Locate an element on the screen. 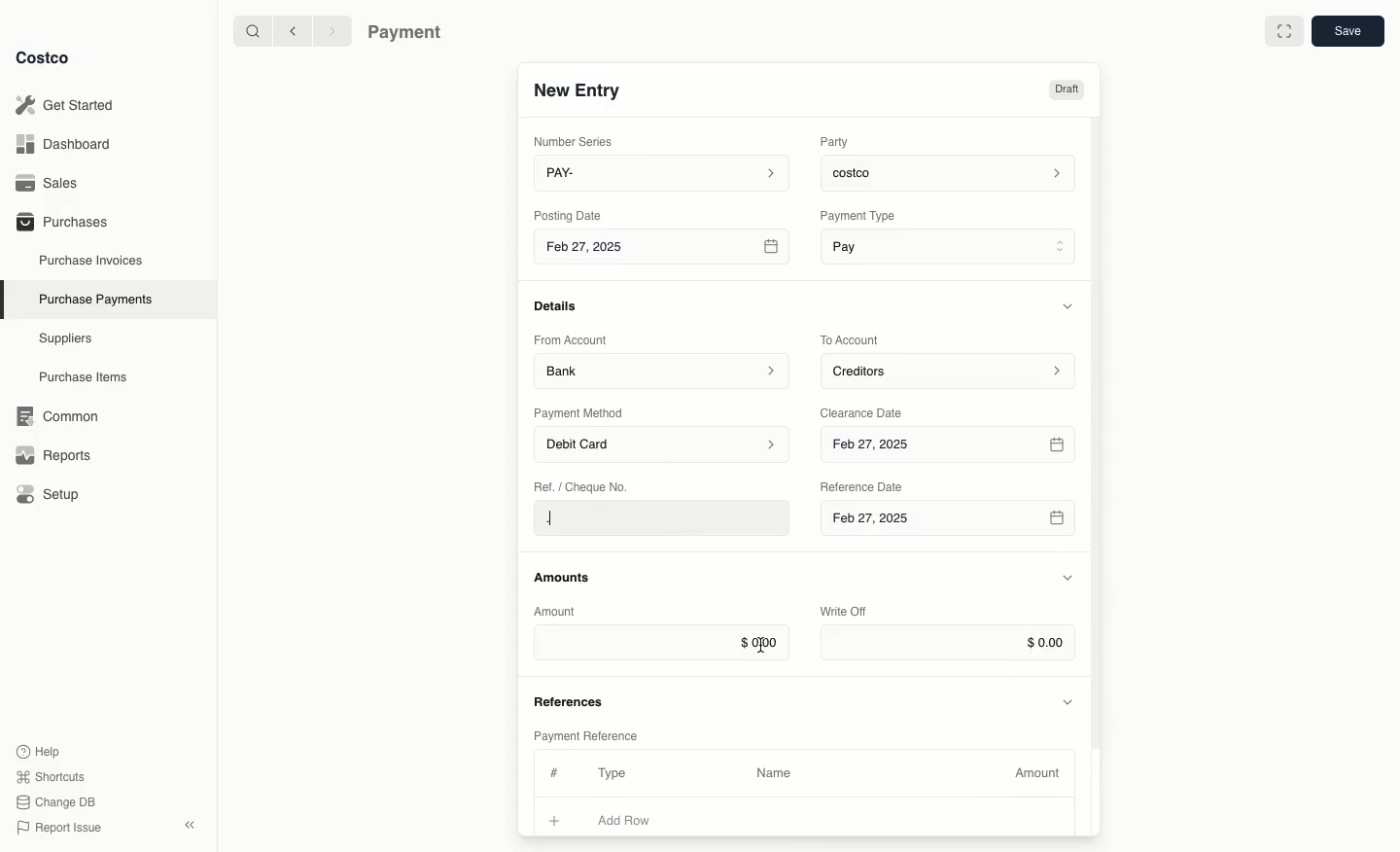  Costco is located at coordinates (42, 57).